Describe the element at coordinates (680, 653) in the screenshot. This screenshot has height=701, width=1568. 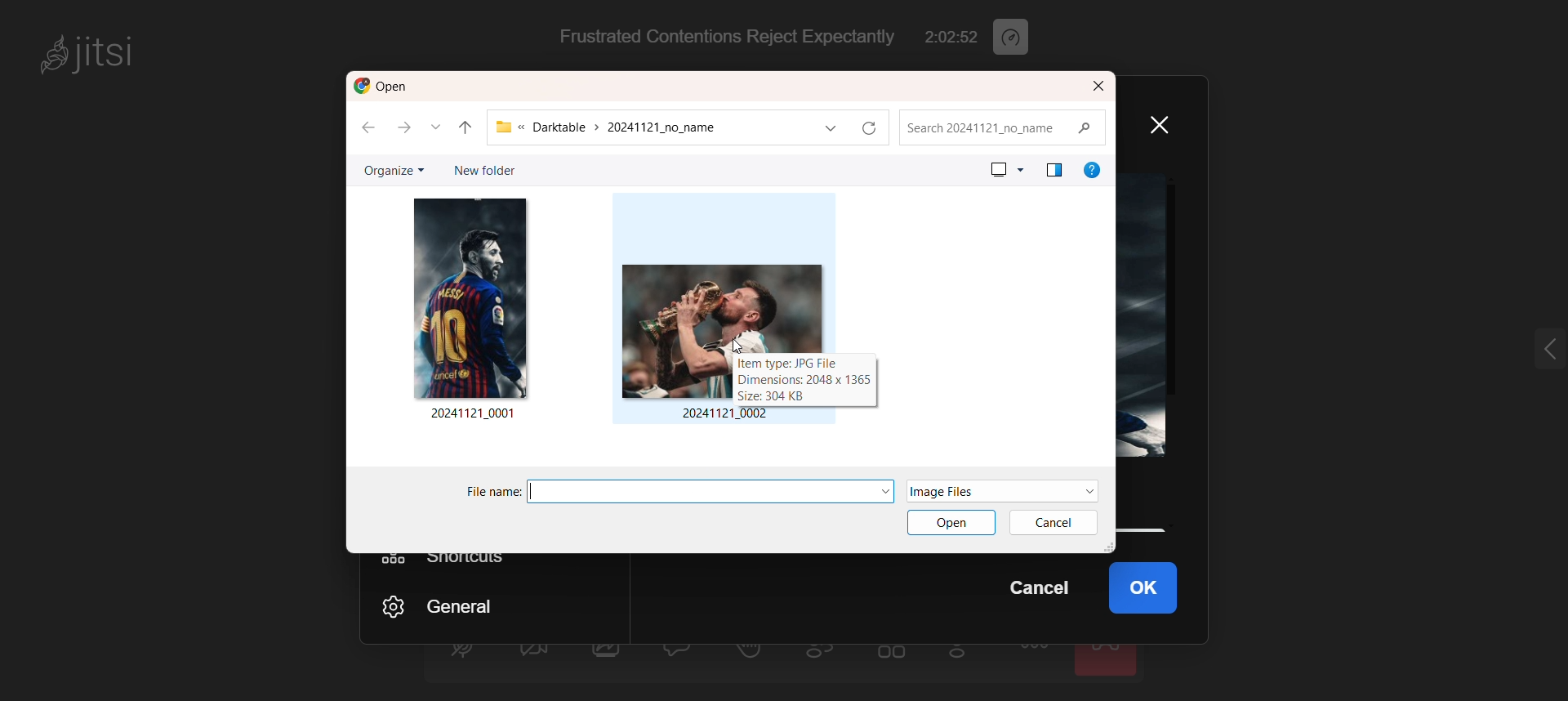
I see `chat` at that location.